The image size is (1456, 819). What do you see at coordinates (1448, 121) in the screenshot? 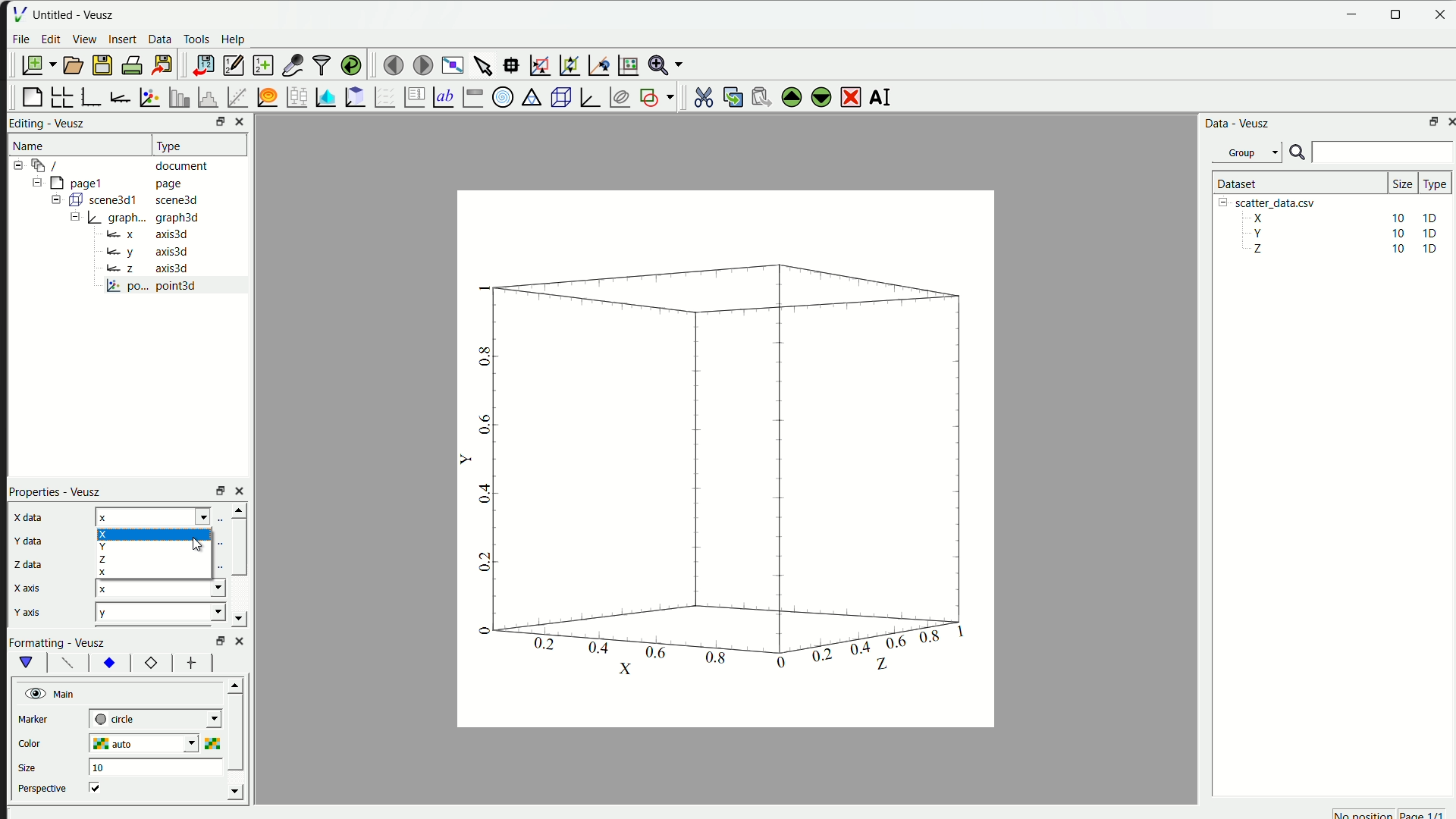
I see `close` at bounding box center [1448, 121].